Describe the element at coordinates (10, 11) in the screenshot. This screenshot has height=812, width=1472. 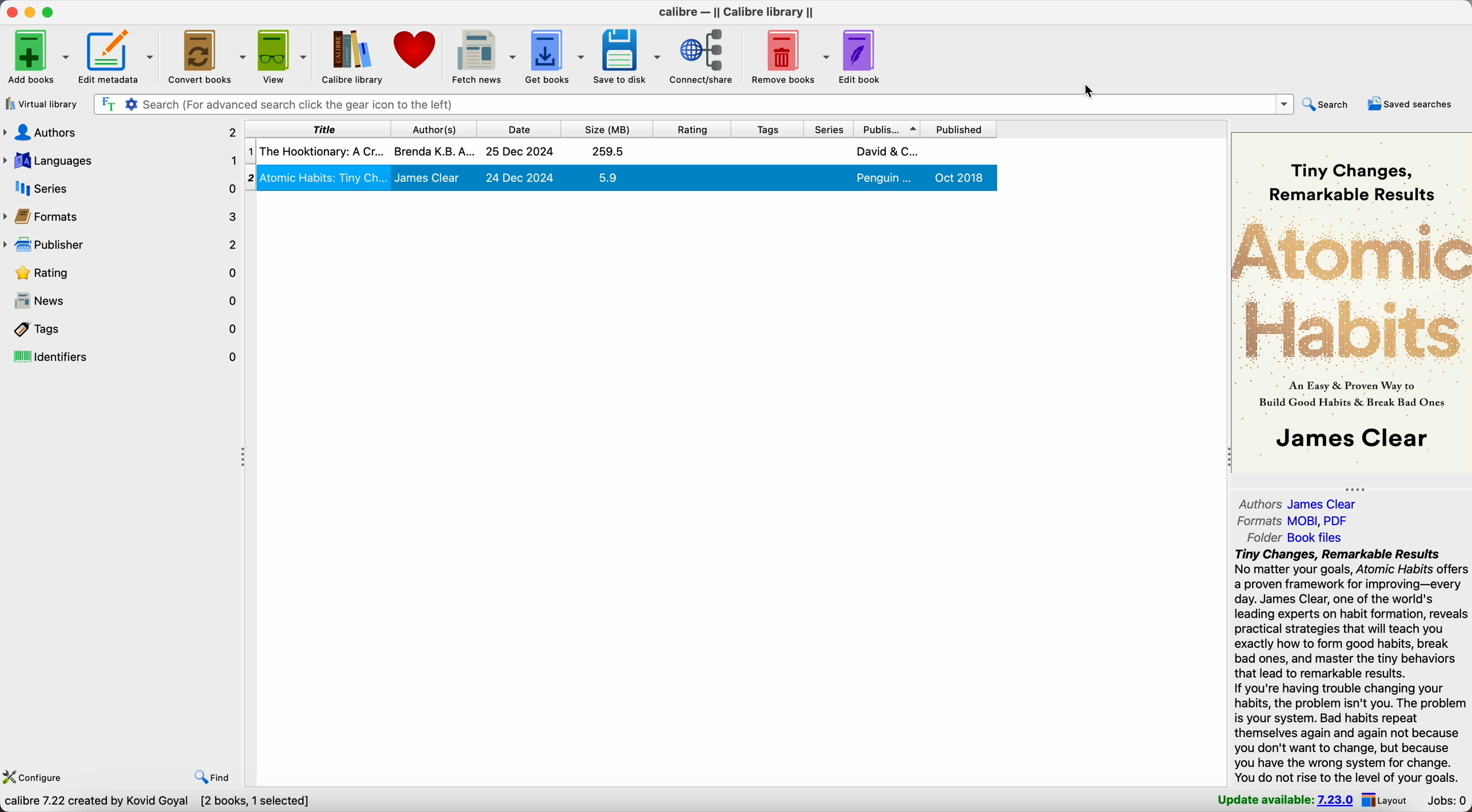
I see `close Calibre` at that location.